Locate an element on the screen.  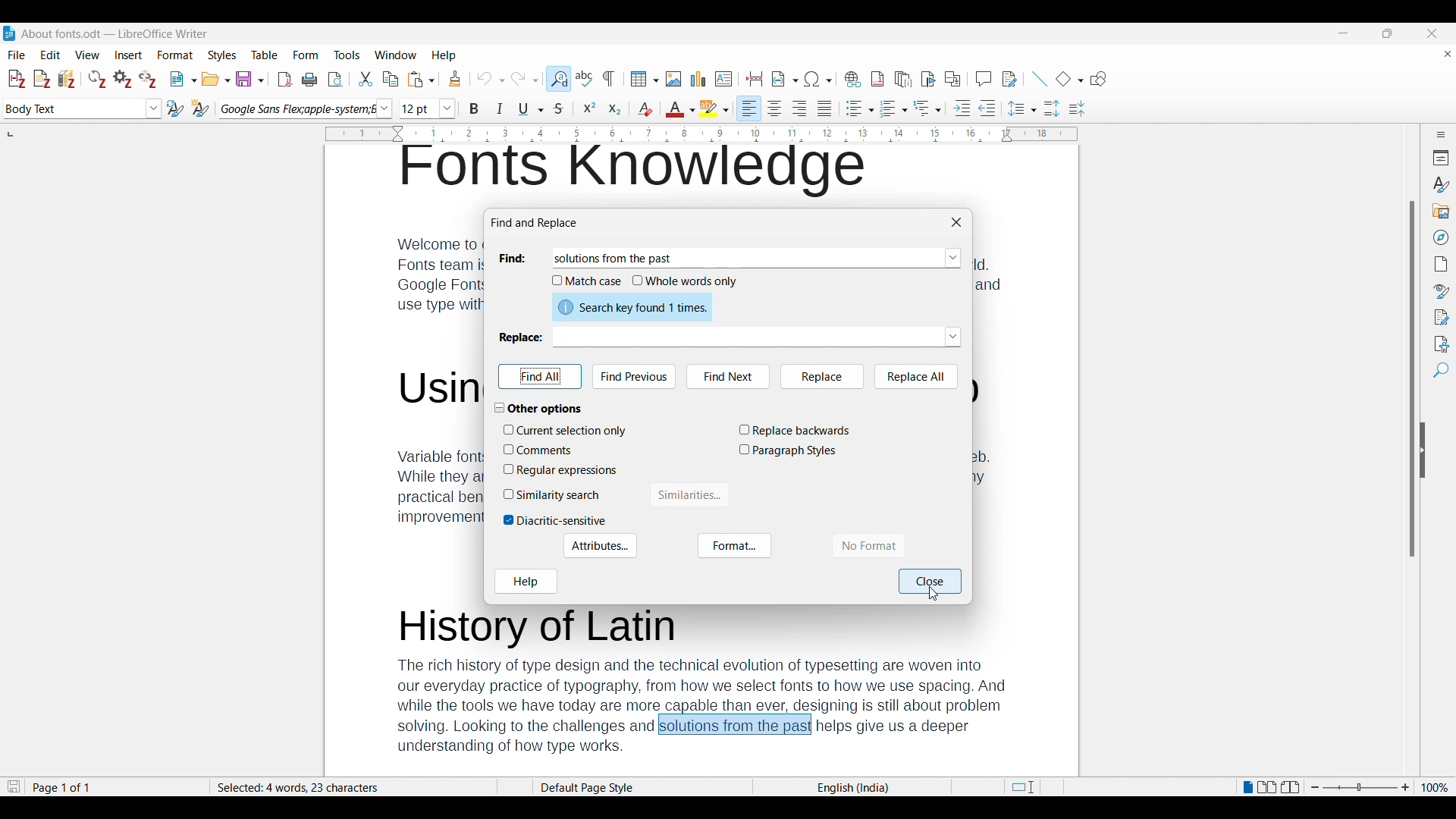
Superscript is located at coordinates (590, 109).